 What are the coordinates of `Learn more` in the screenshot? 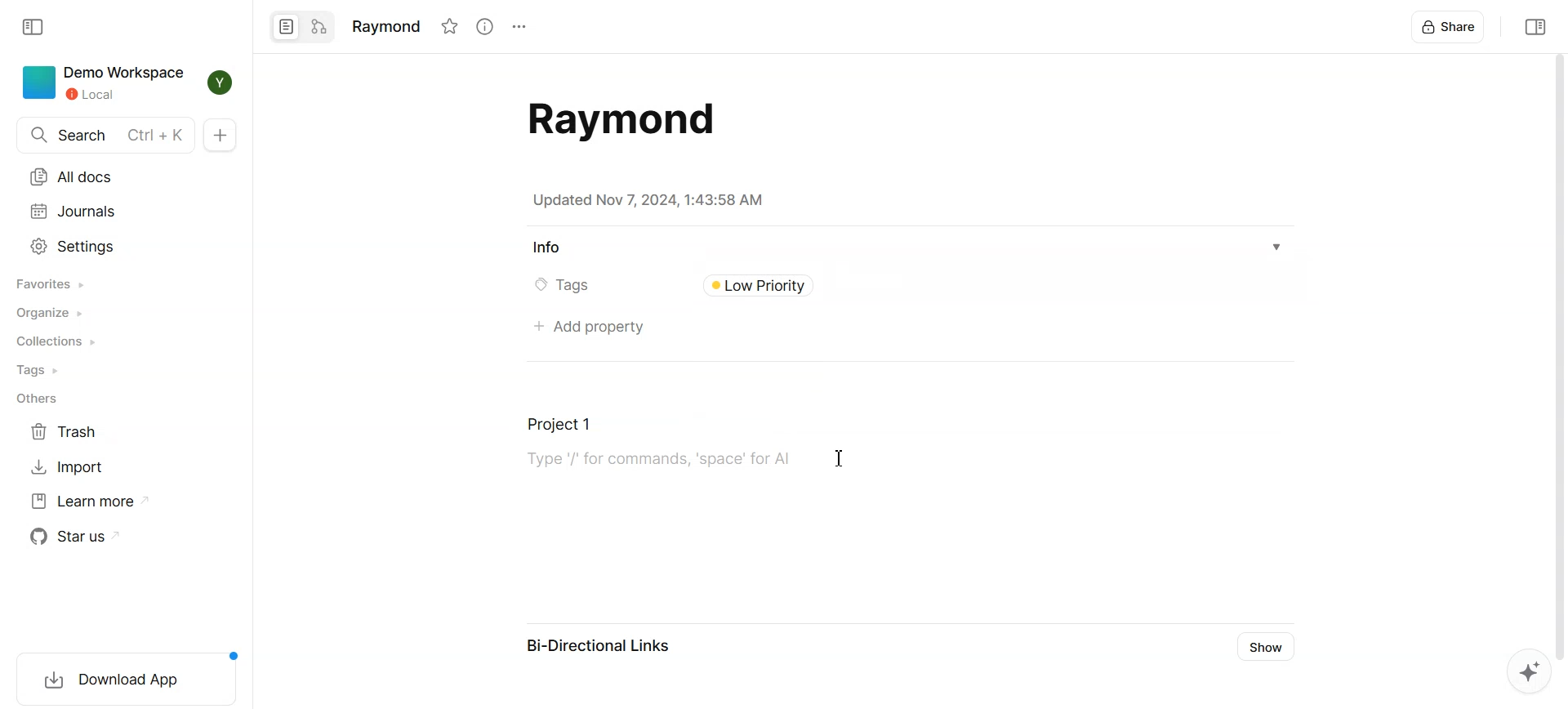 It's located at (91, 501).